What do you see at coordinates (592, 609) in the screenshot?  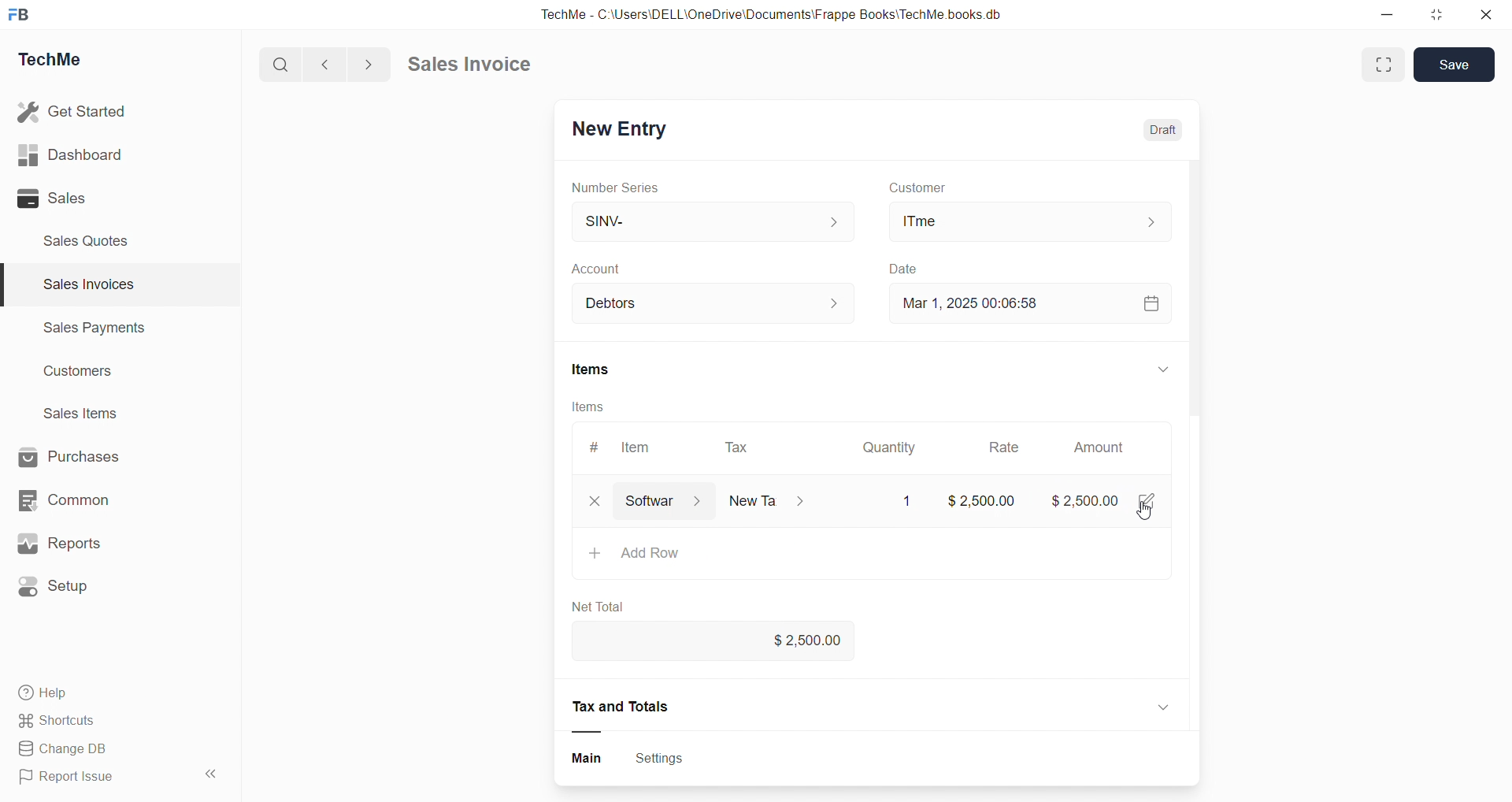 I see `Net Tot.` at bounding box center [592, 609].